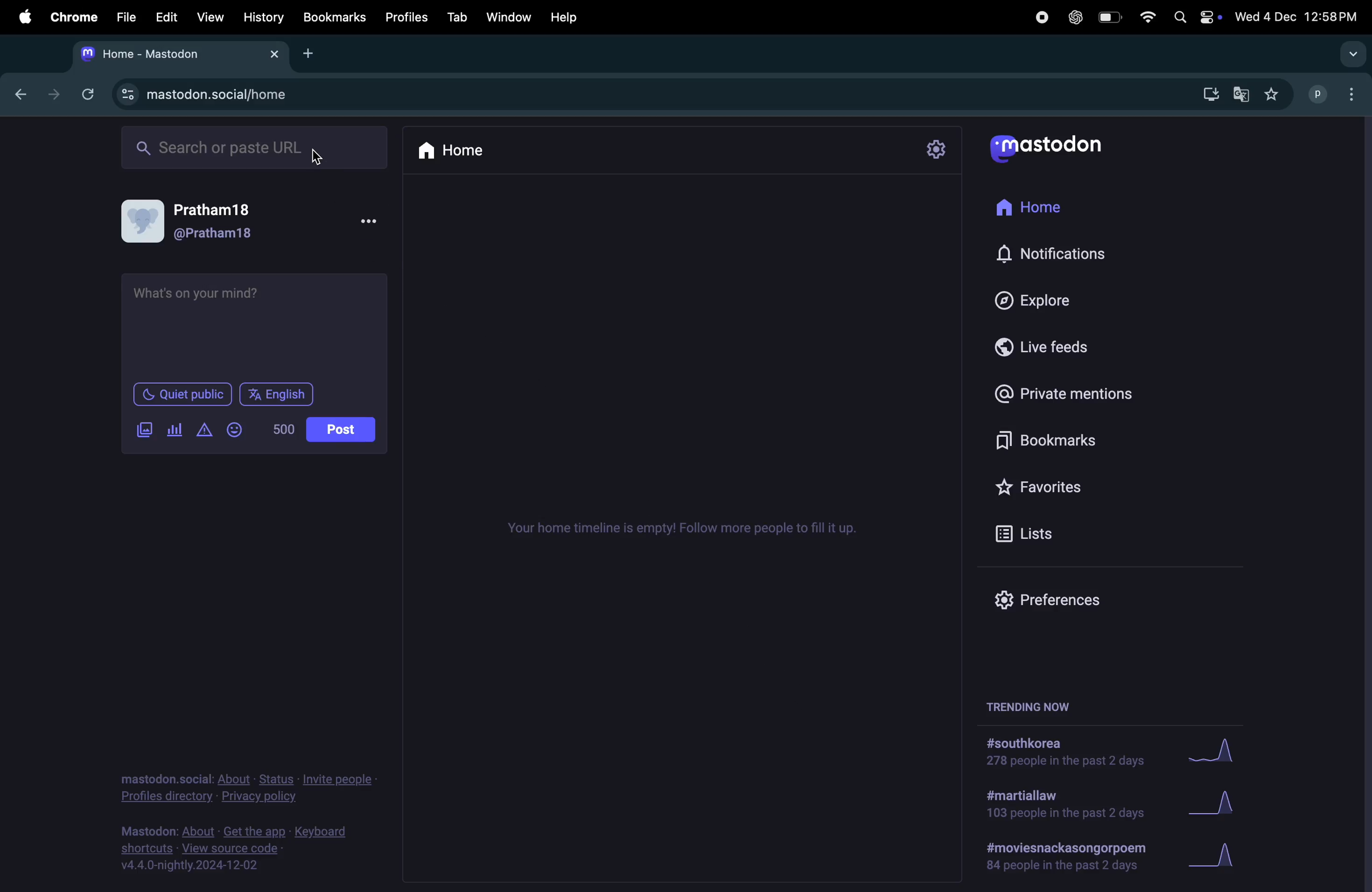 The image size is (1372, 892). What do you see at coordinates (206, 430) in the screenshot?
I see `add alert` at bounding box center [206, 430].